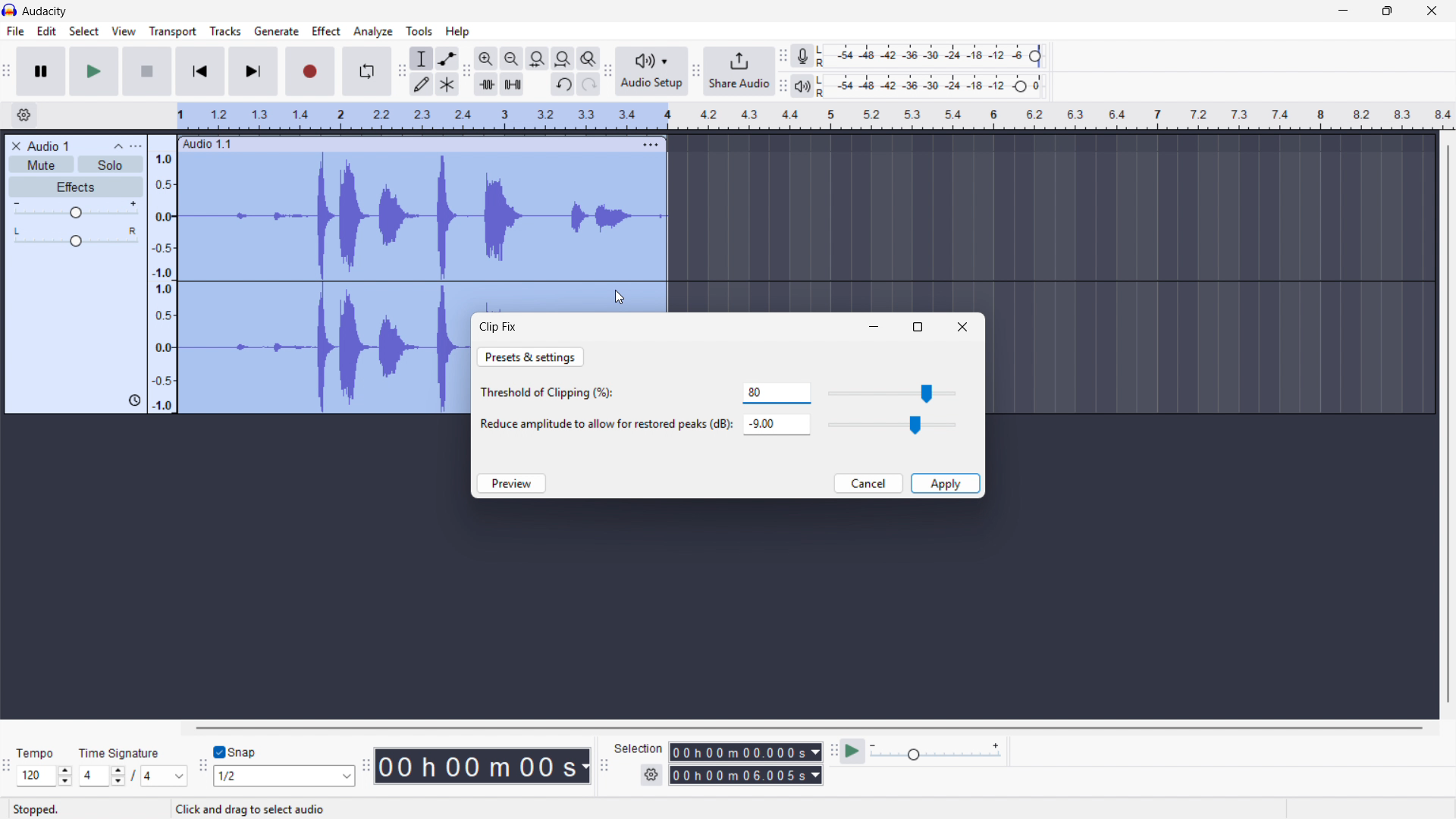 The height and width of the screenshot is (819, 1456). I want to click on selection toolbar, so click(604, 766).